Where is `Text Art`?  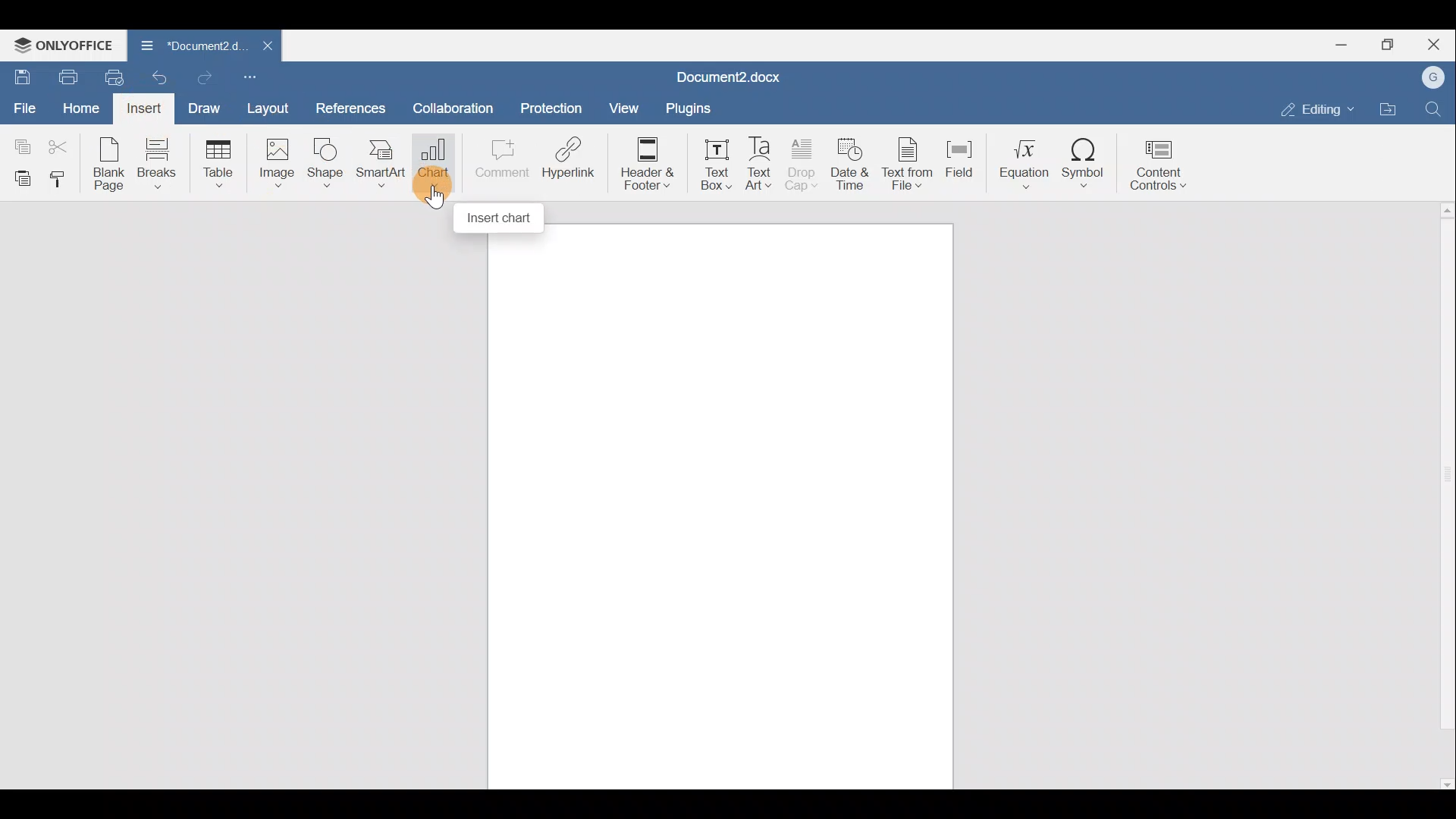 Text Art is located at coordinates (761, 161).